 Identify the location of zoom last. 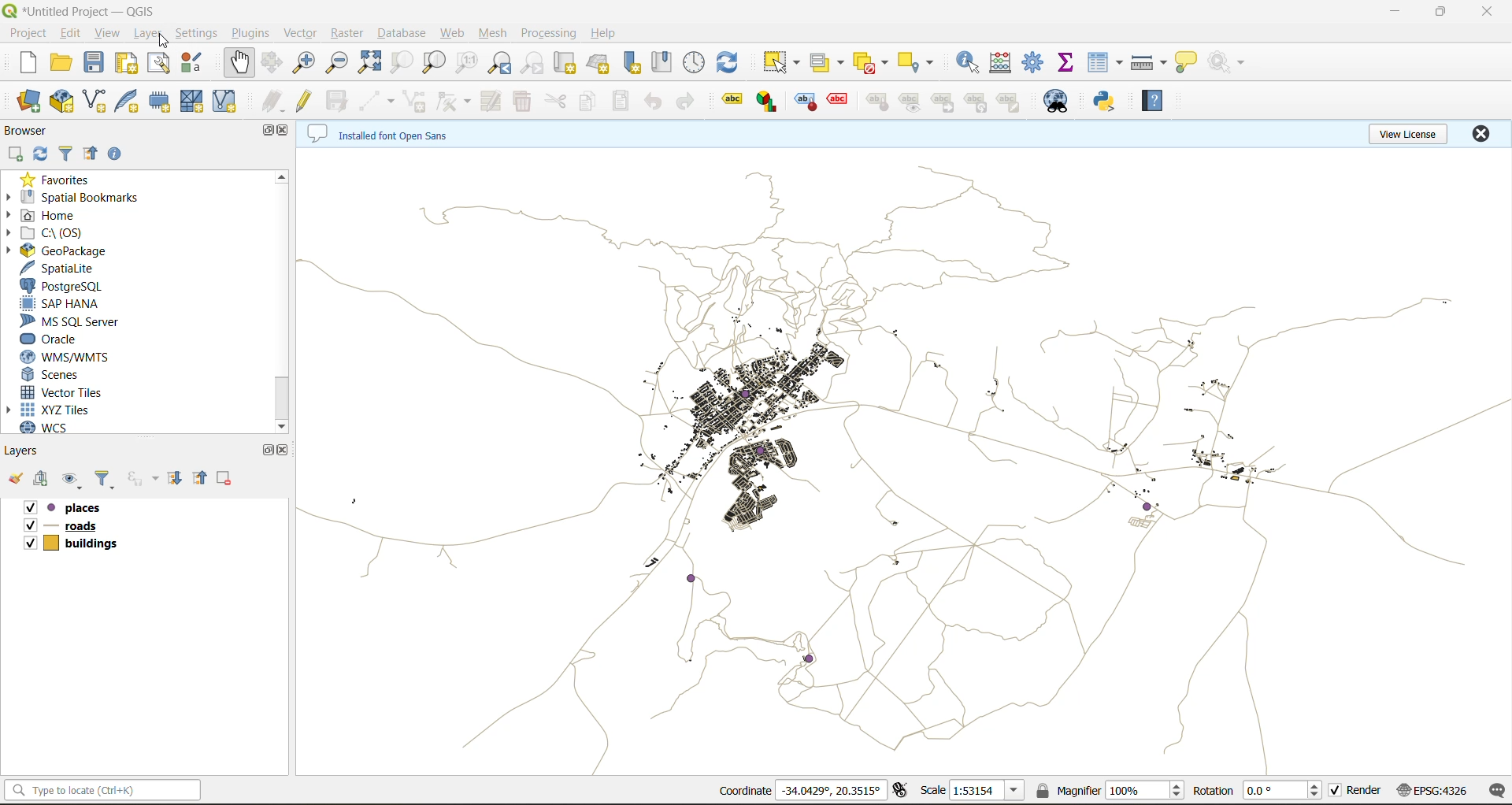
(500, 65).